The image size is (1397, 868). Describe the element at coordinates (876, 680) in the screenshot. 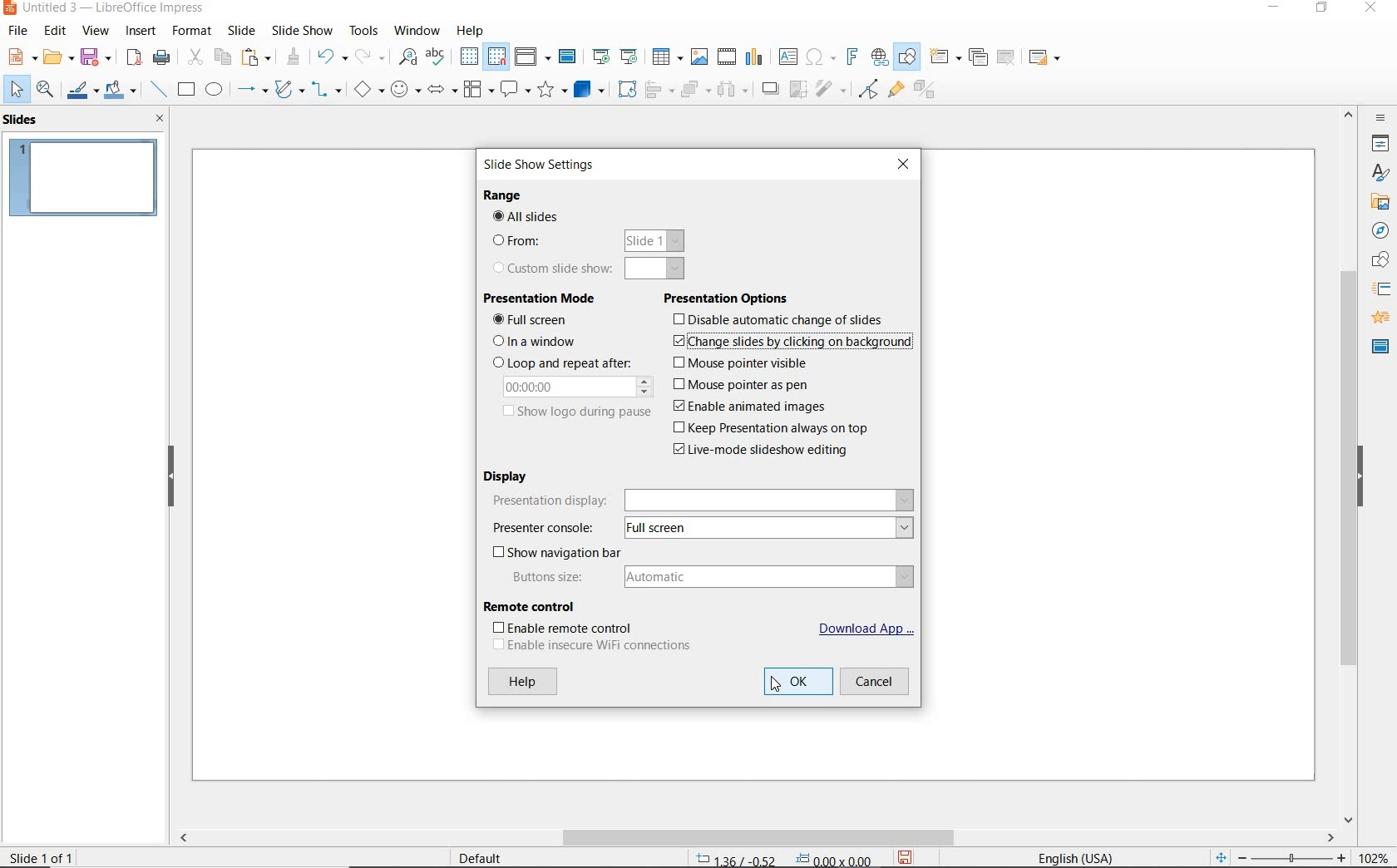

I see `CANCEL` at that location.